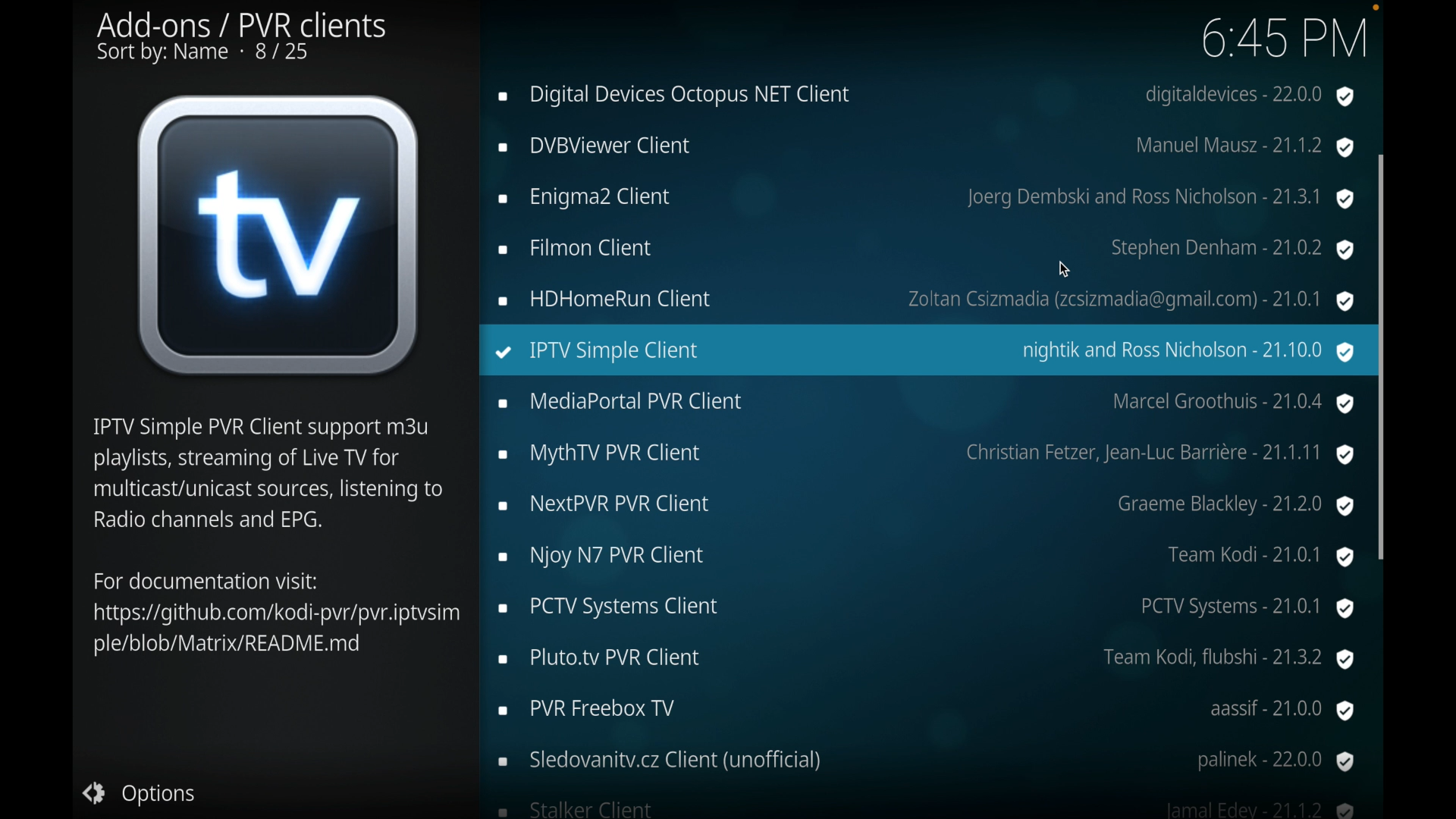 The width and height of the screenshot is (1456, 819). I want to click on pctv systems client, so click(930, 609).